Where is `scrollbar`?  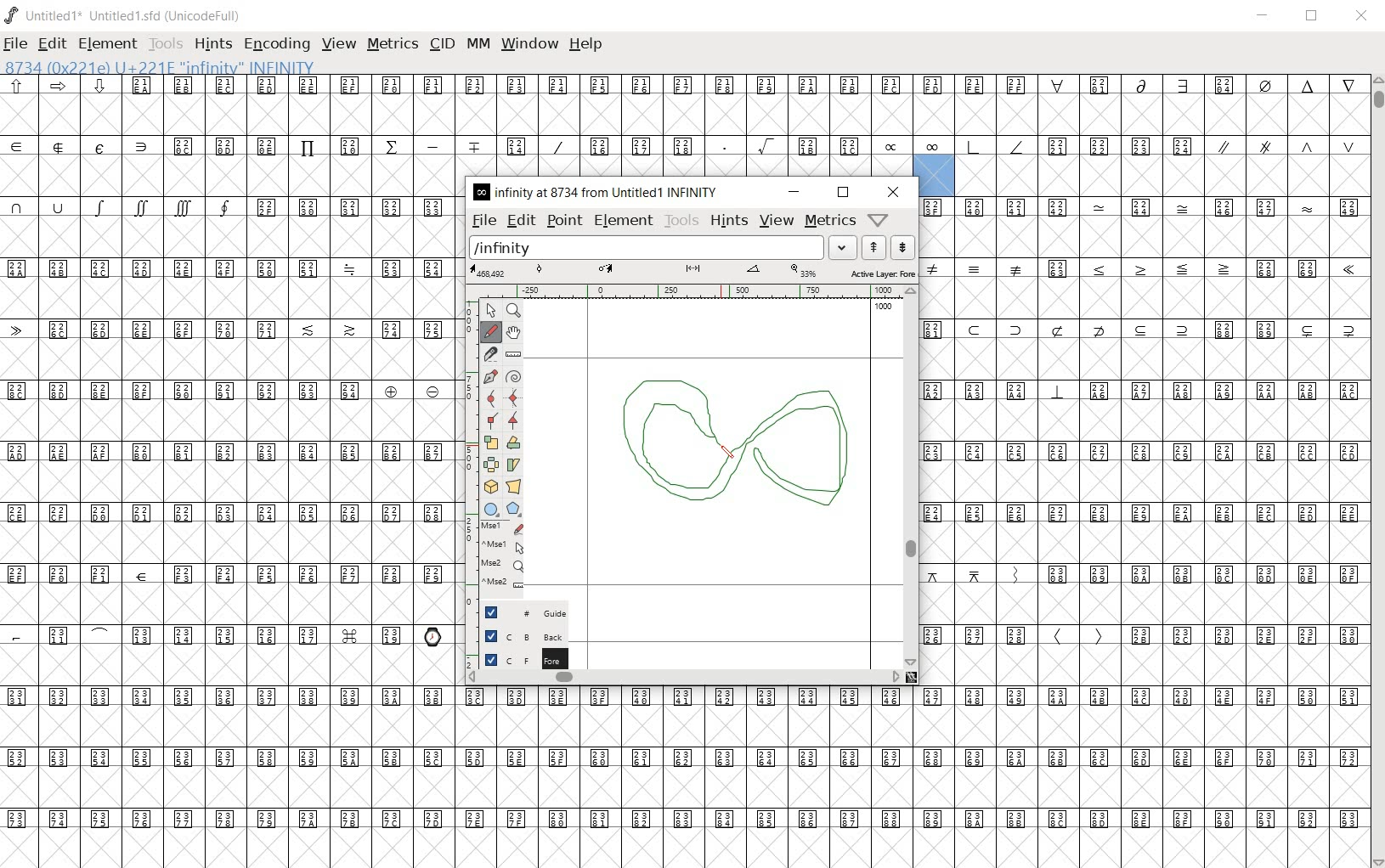 scrollbar is located at coordinates (1377, 470).